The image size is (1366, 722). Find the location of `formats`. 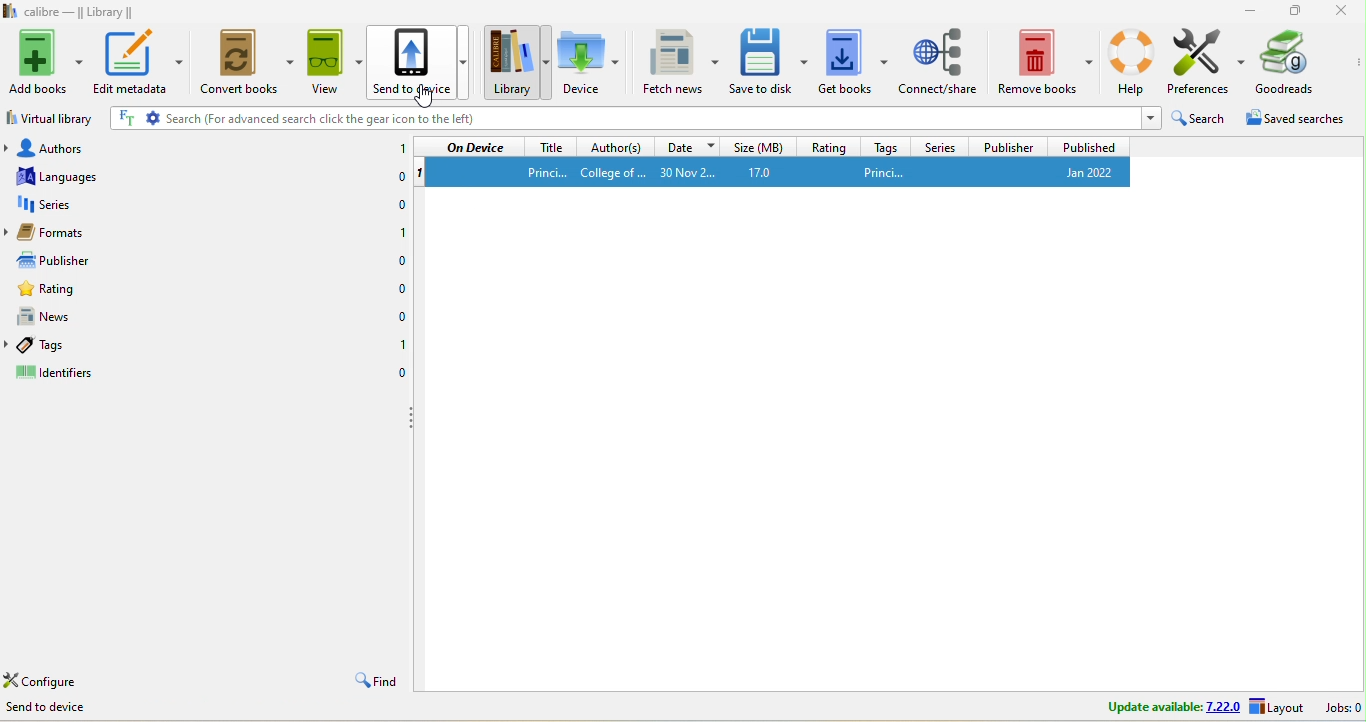

formats is located at coordinates (170, 234).